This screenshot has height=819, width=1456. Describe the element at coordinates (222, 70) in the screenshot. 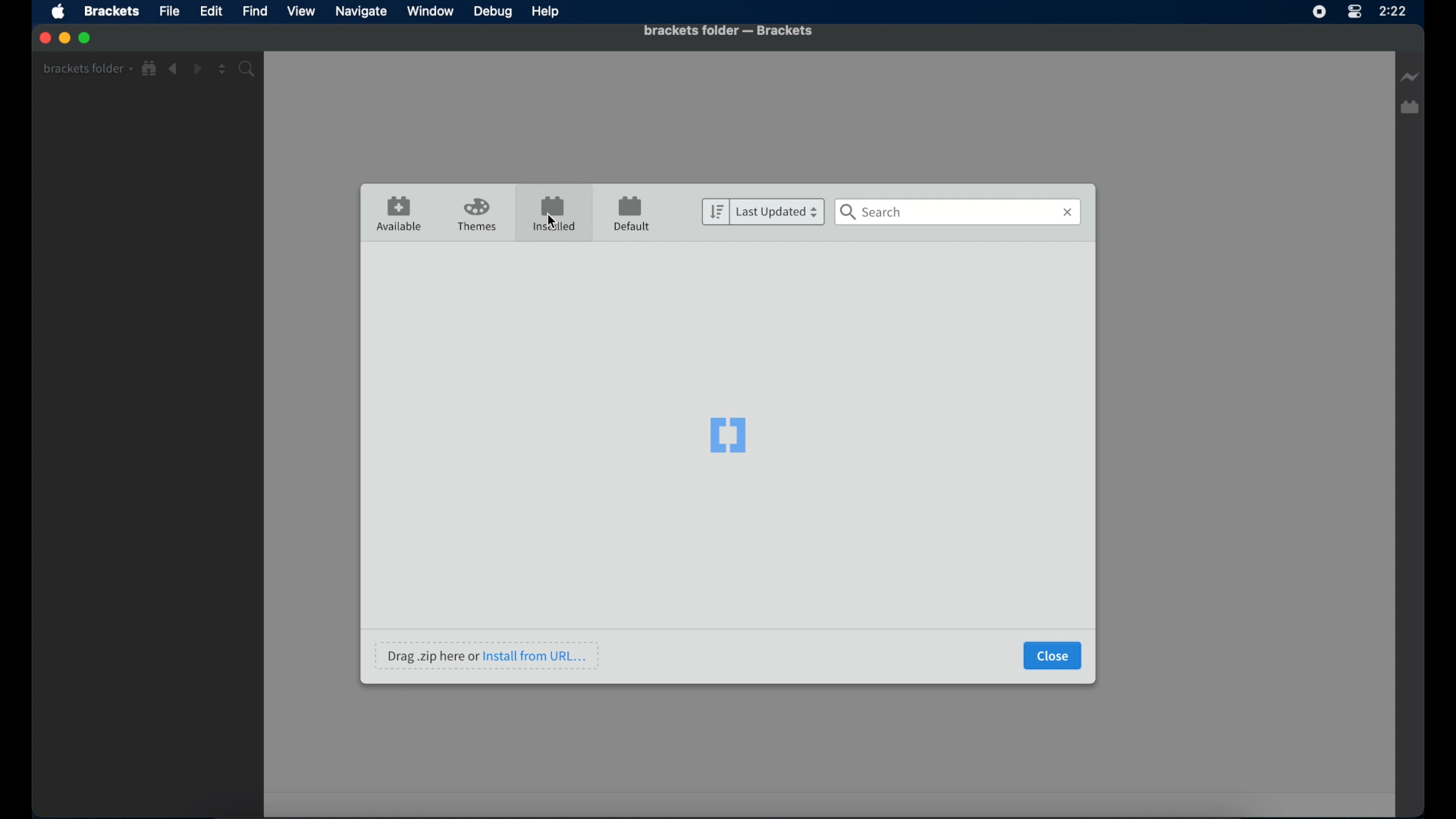

I see `split editor vertical or horizontal` at that location.